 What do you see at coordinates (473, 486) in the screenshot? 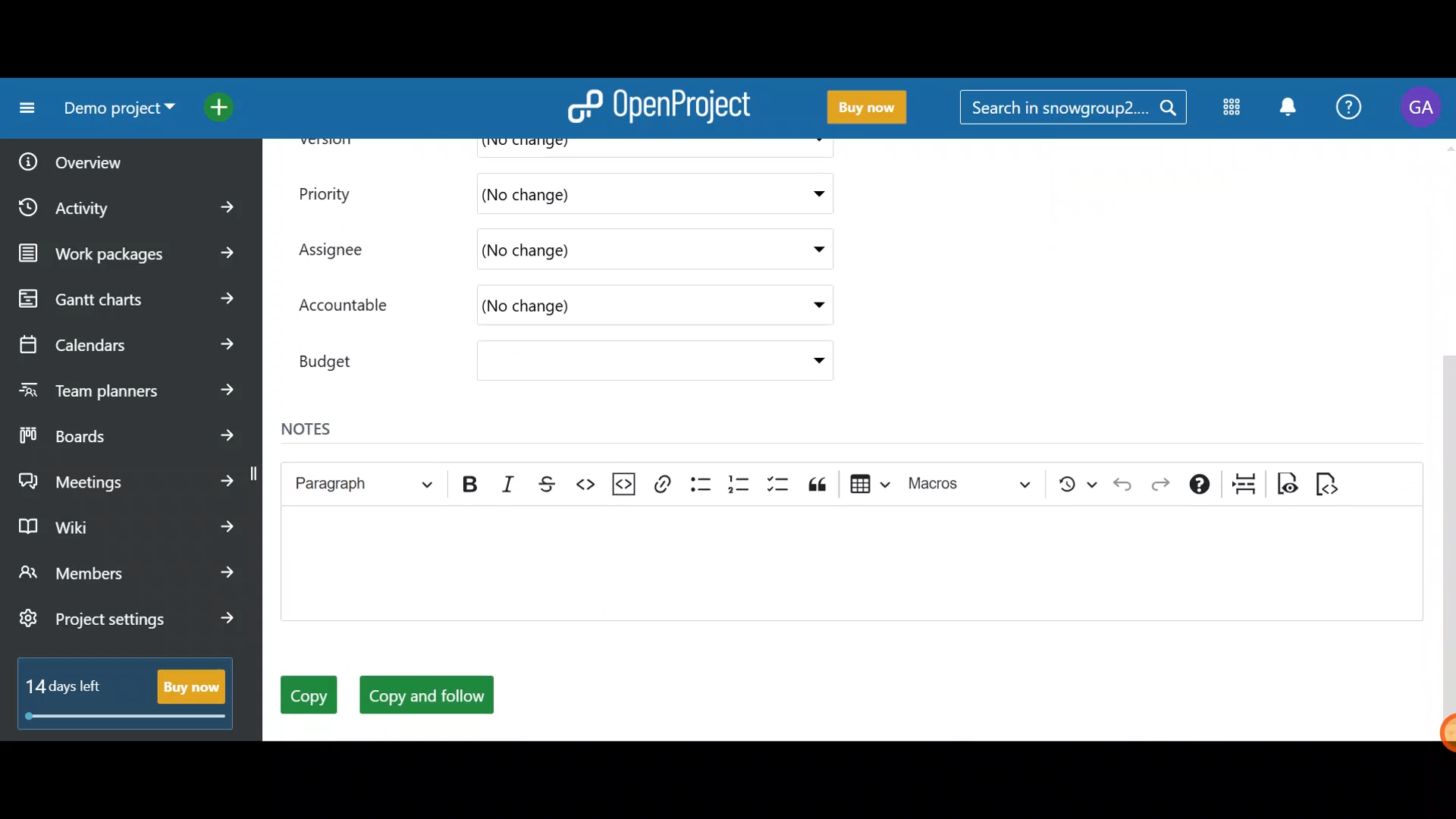
I see `Bold` at bounding box center [473, 486].